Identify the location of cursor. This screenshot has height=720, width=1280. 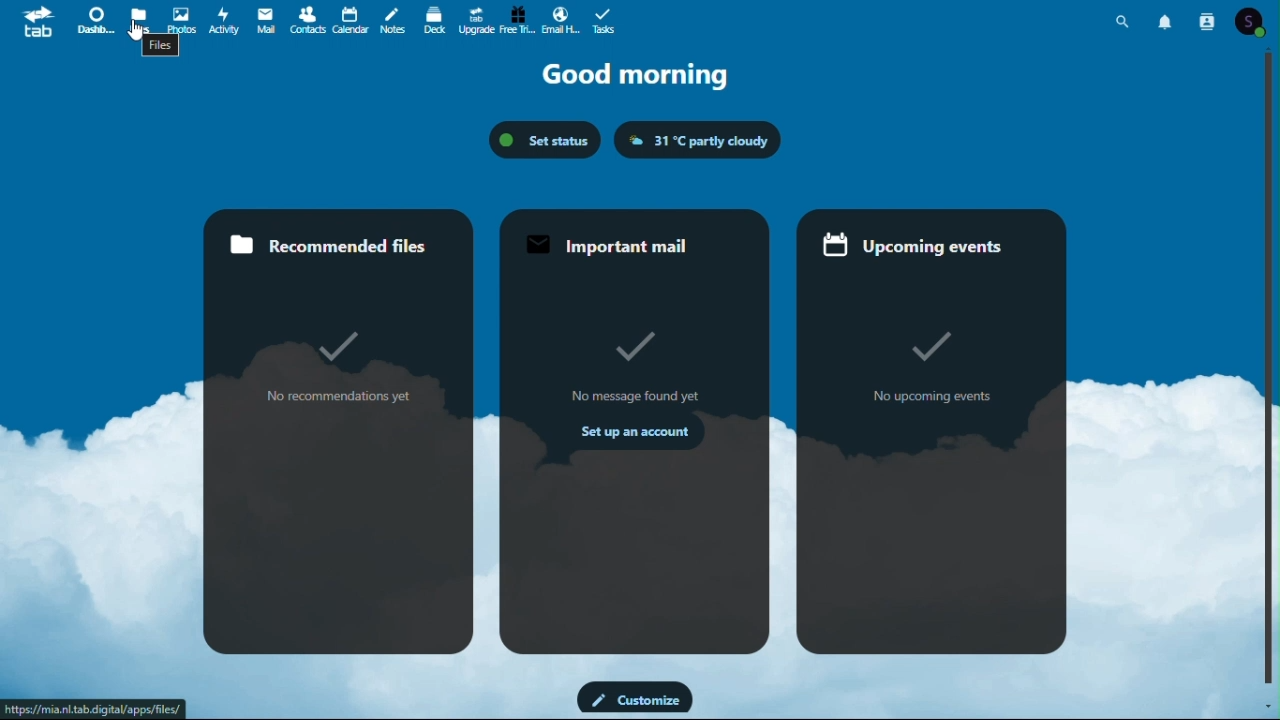
(133, 37).